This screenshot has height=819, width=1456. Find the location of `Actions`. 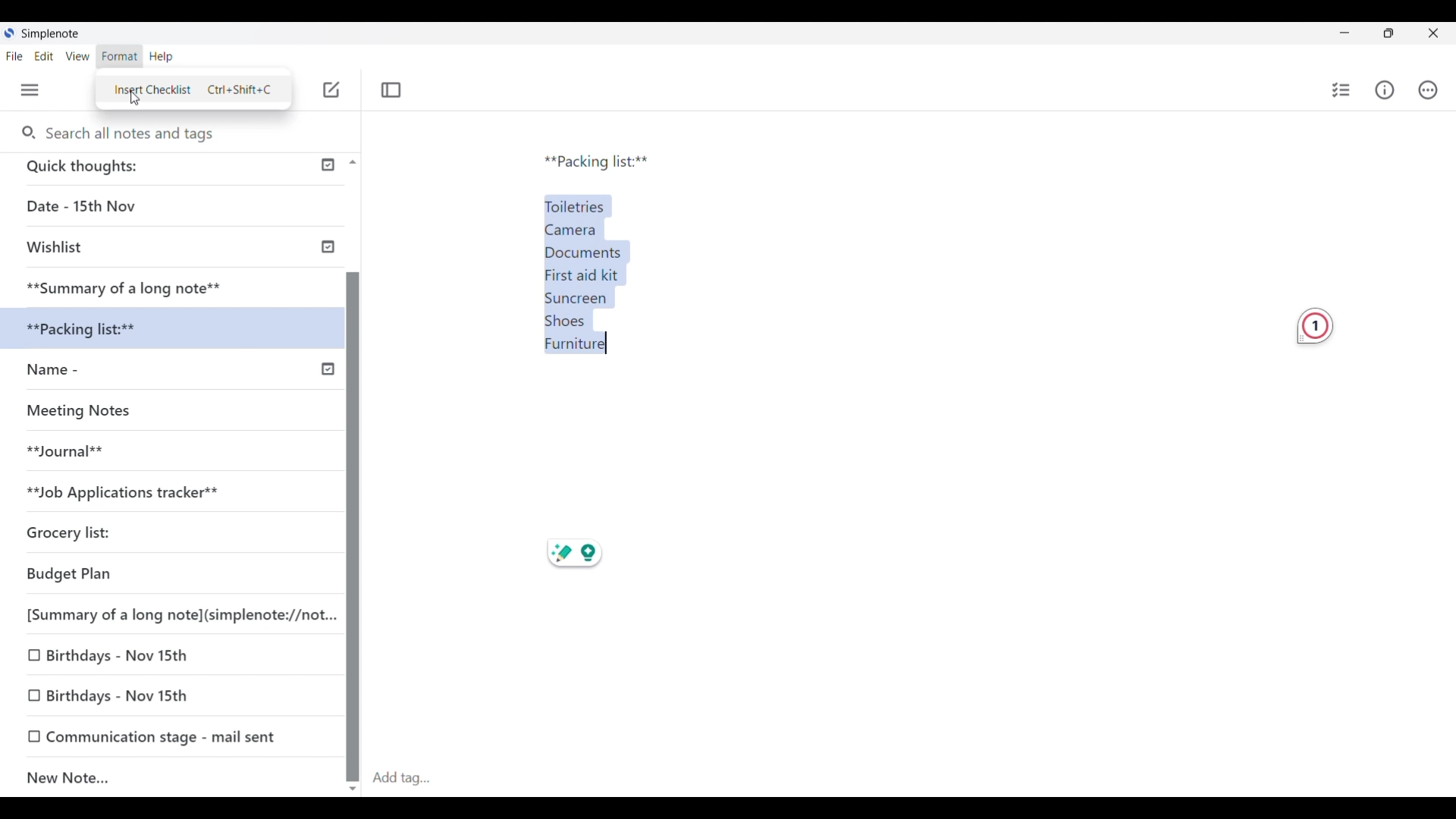

Actions is located at coordinates (1428, 89).